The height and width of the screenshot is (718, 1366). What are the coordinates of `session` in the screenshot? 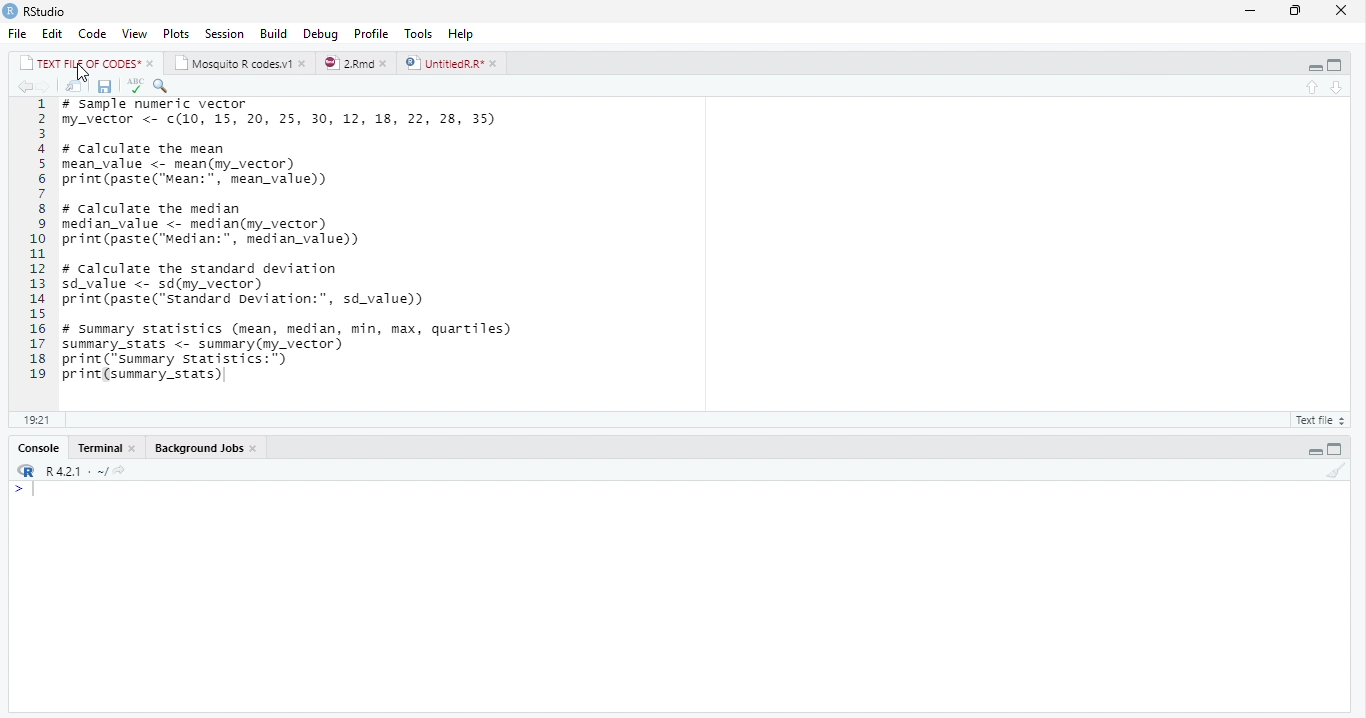 It's located at (224, 34).